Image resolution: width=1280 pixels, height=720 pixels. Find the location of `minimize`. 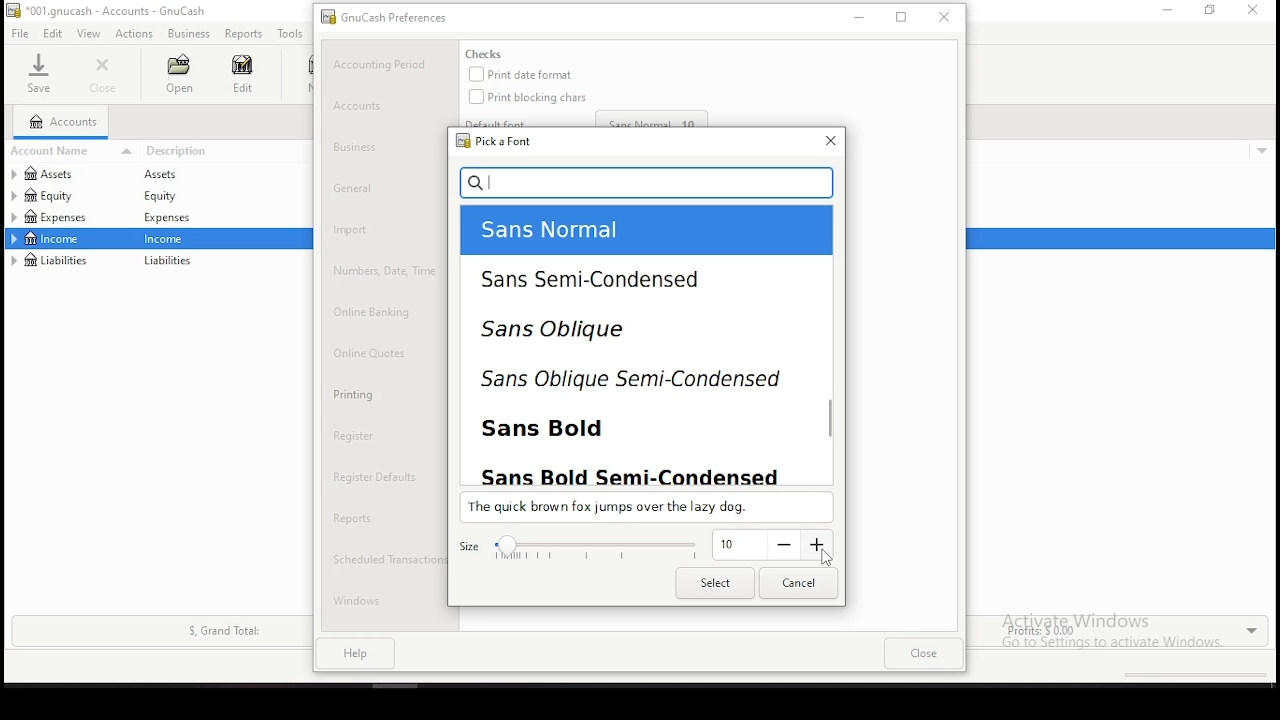

minimize is located at coordinates (1165, 10).